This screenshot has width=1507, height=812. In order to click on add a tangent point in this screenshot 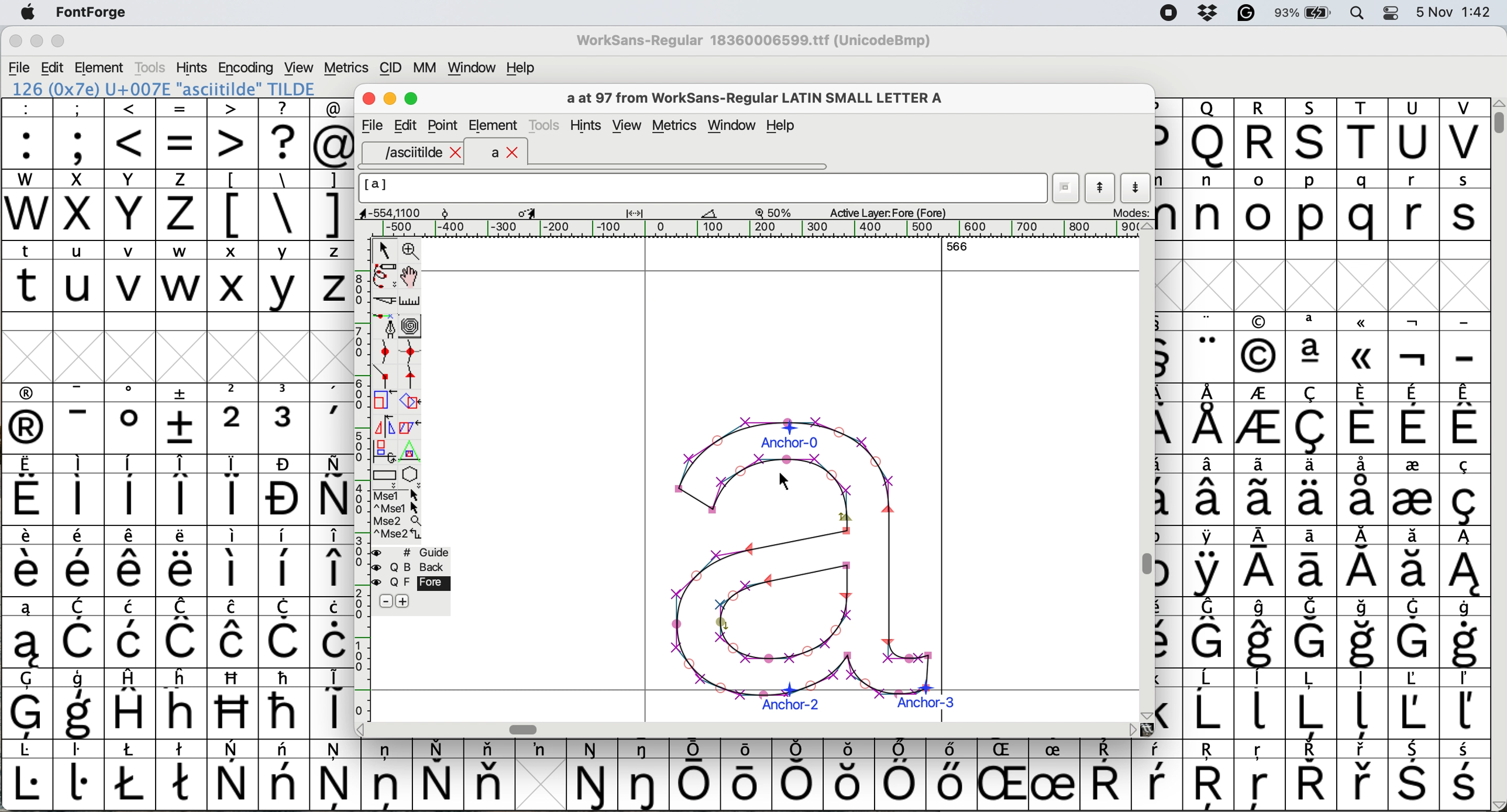, I will do `click(413, 376)`.